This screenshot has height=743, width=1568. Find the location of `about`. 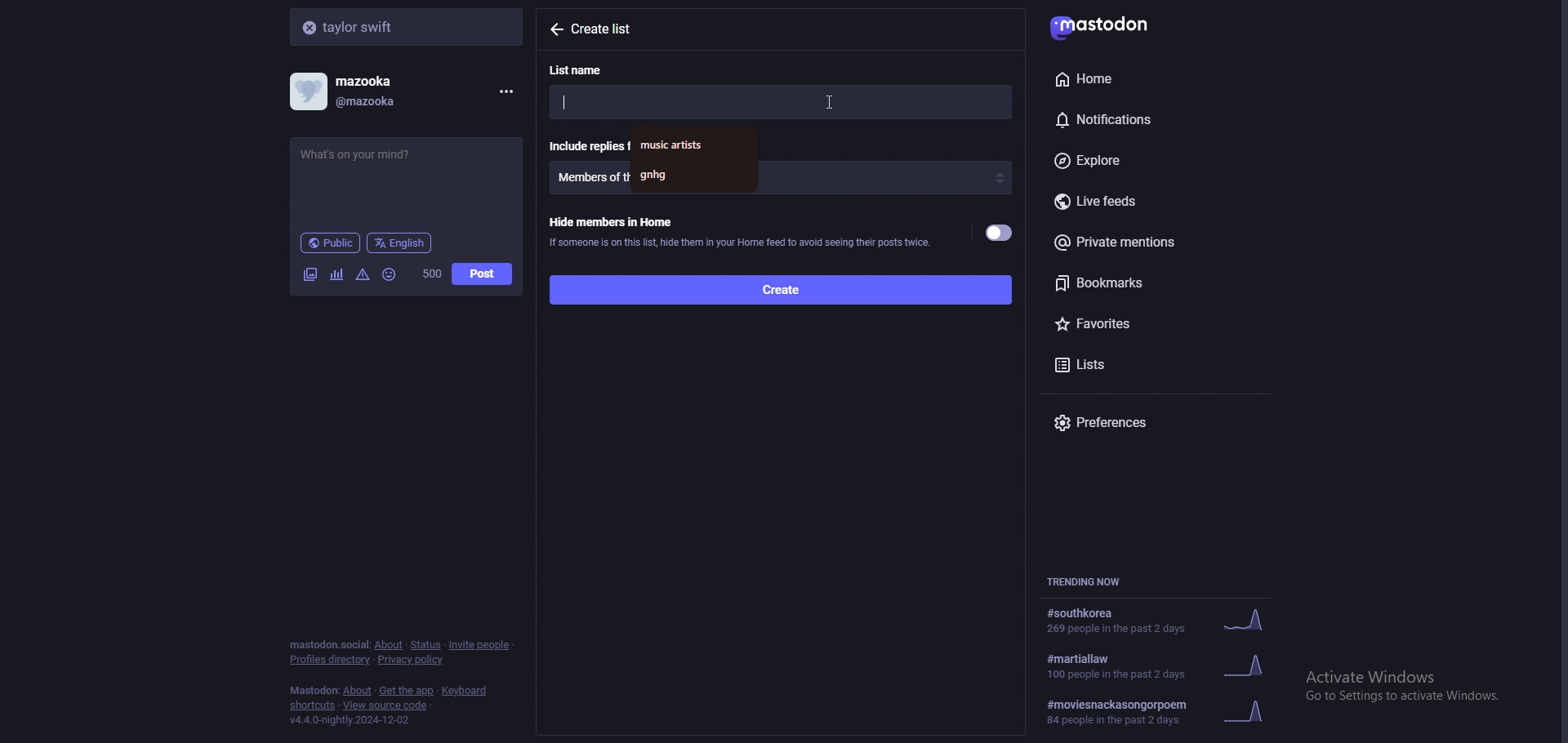

about is located at coordinates (359, 692).